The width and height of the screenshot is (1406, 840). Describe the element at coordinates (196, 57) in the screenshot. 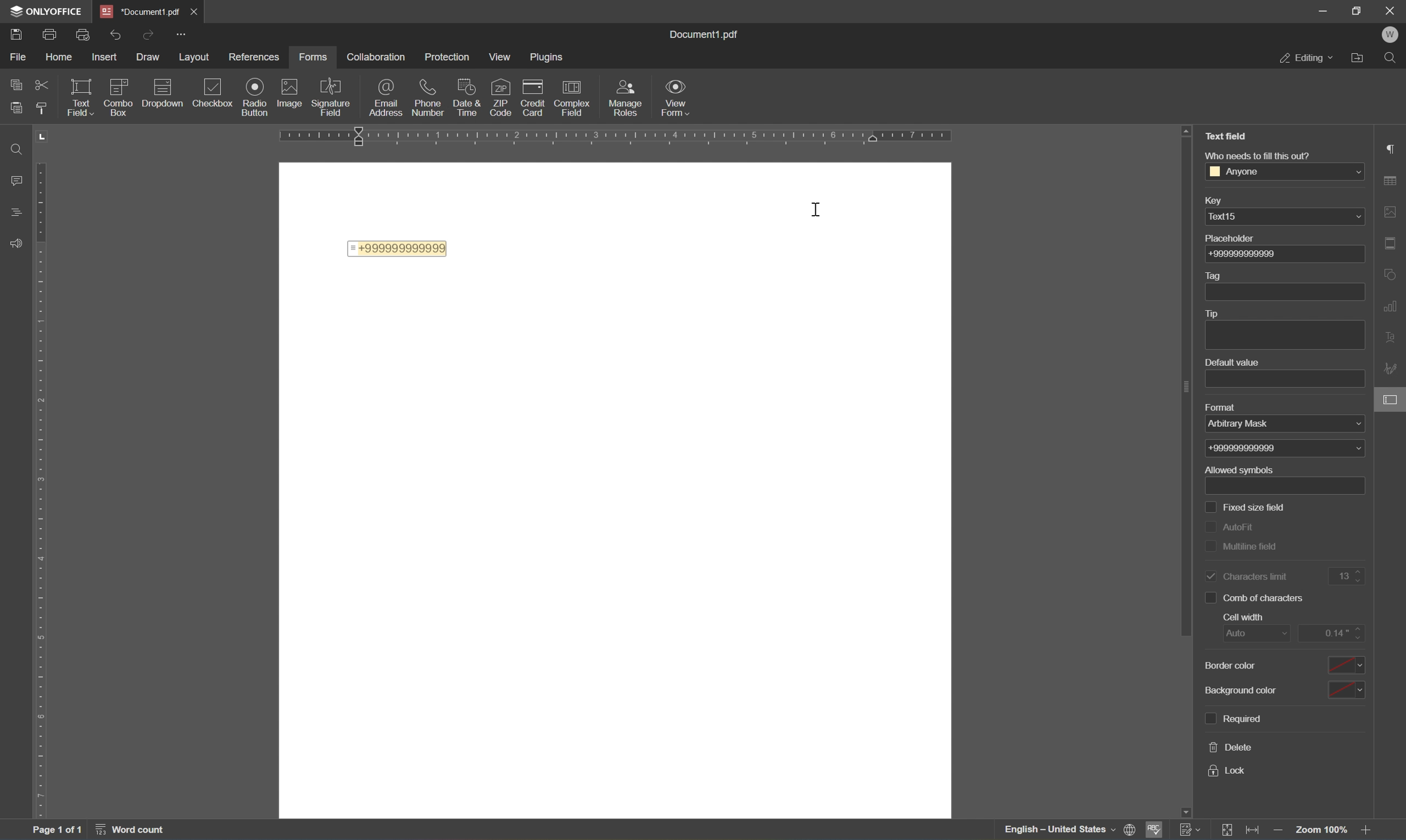

I see `layout` at that location.